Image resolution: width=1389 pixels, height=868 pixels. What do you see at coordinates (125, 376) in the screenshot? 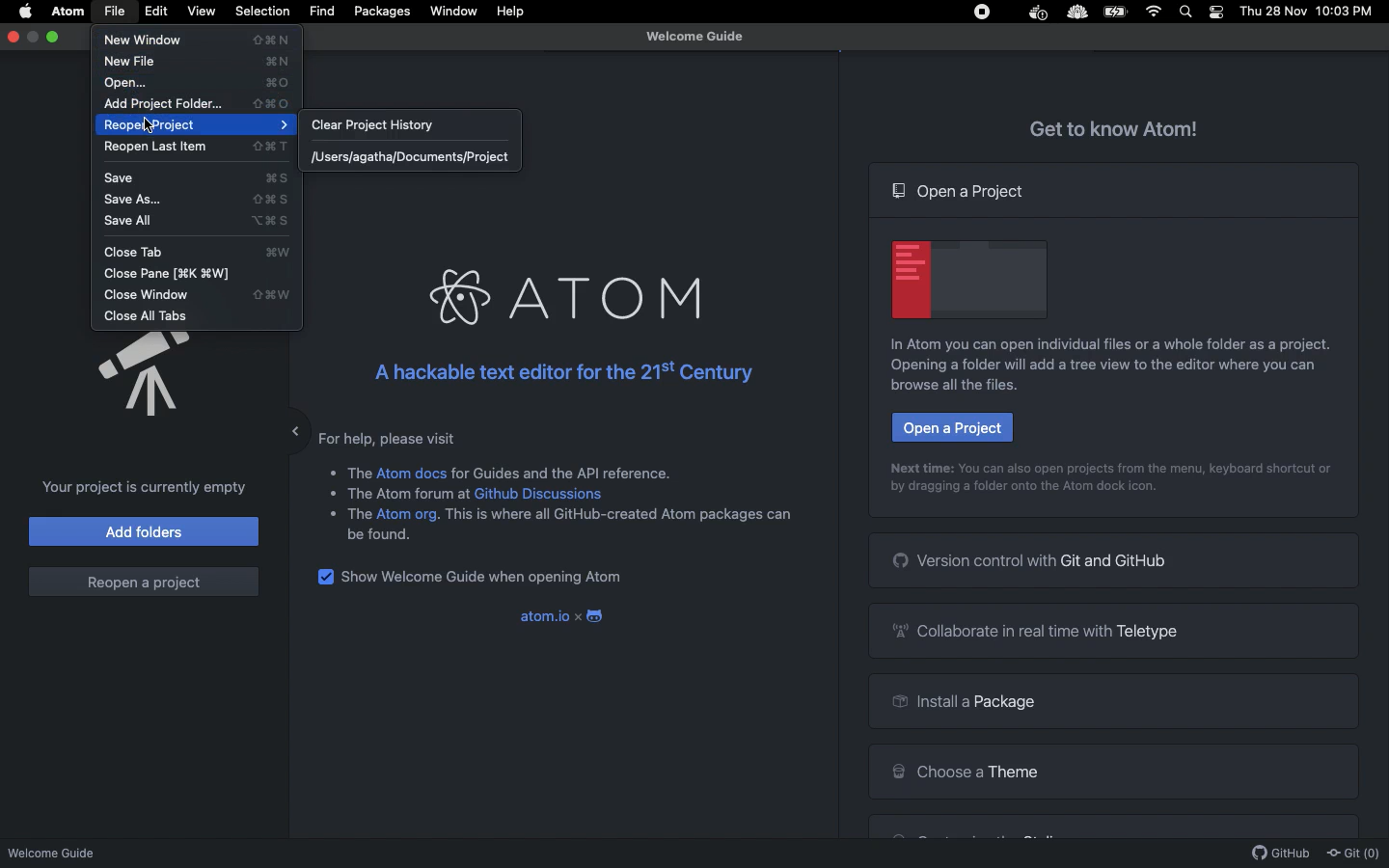
I see `Annoucement` at bounding box center [125, 376].